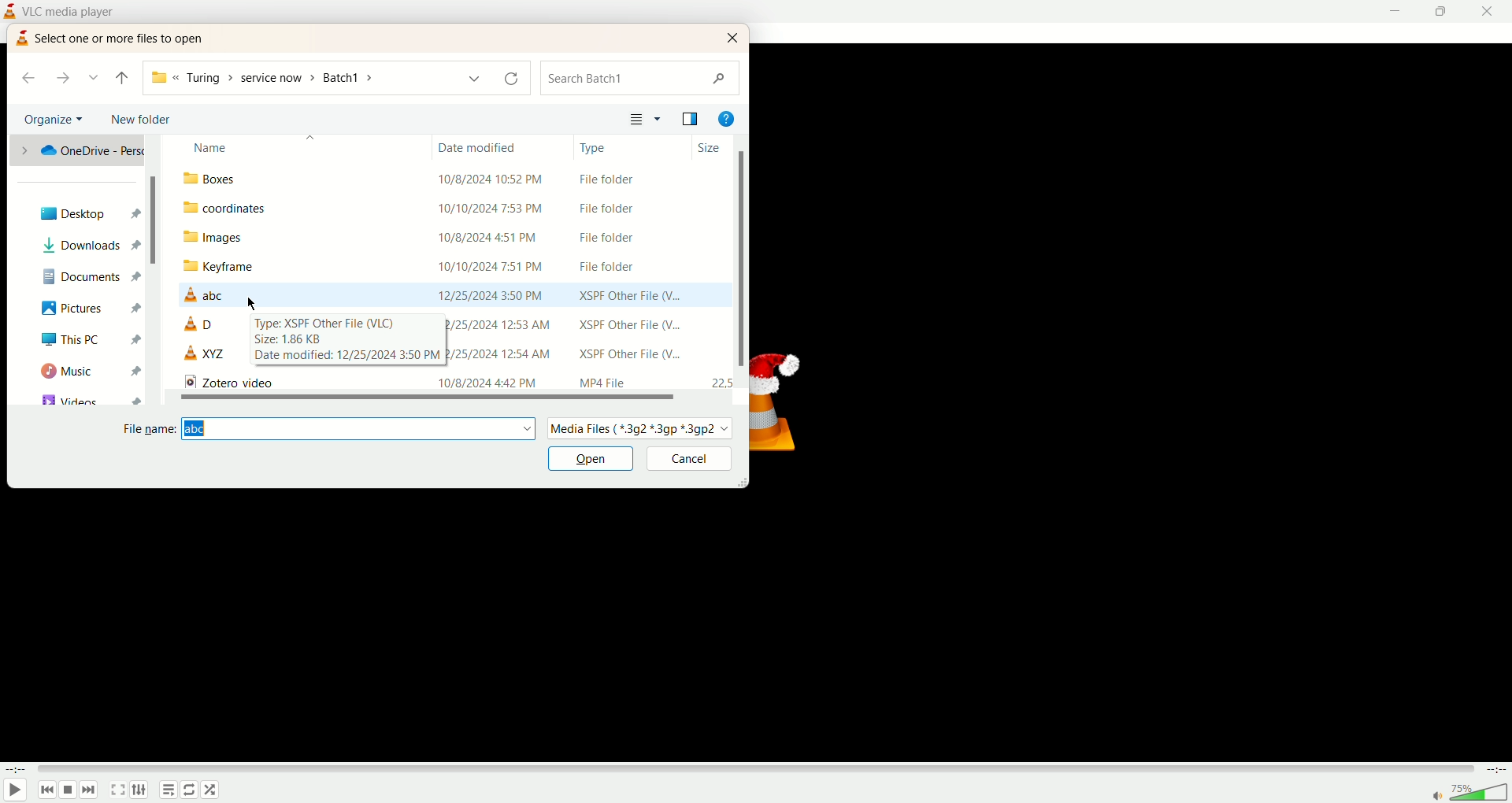 The width and height of the screenshot is (1512, 803). I want to click on extended setting, so click(139, 790).